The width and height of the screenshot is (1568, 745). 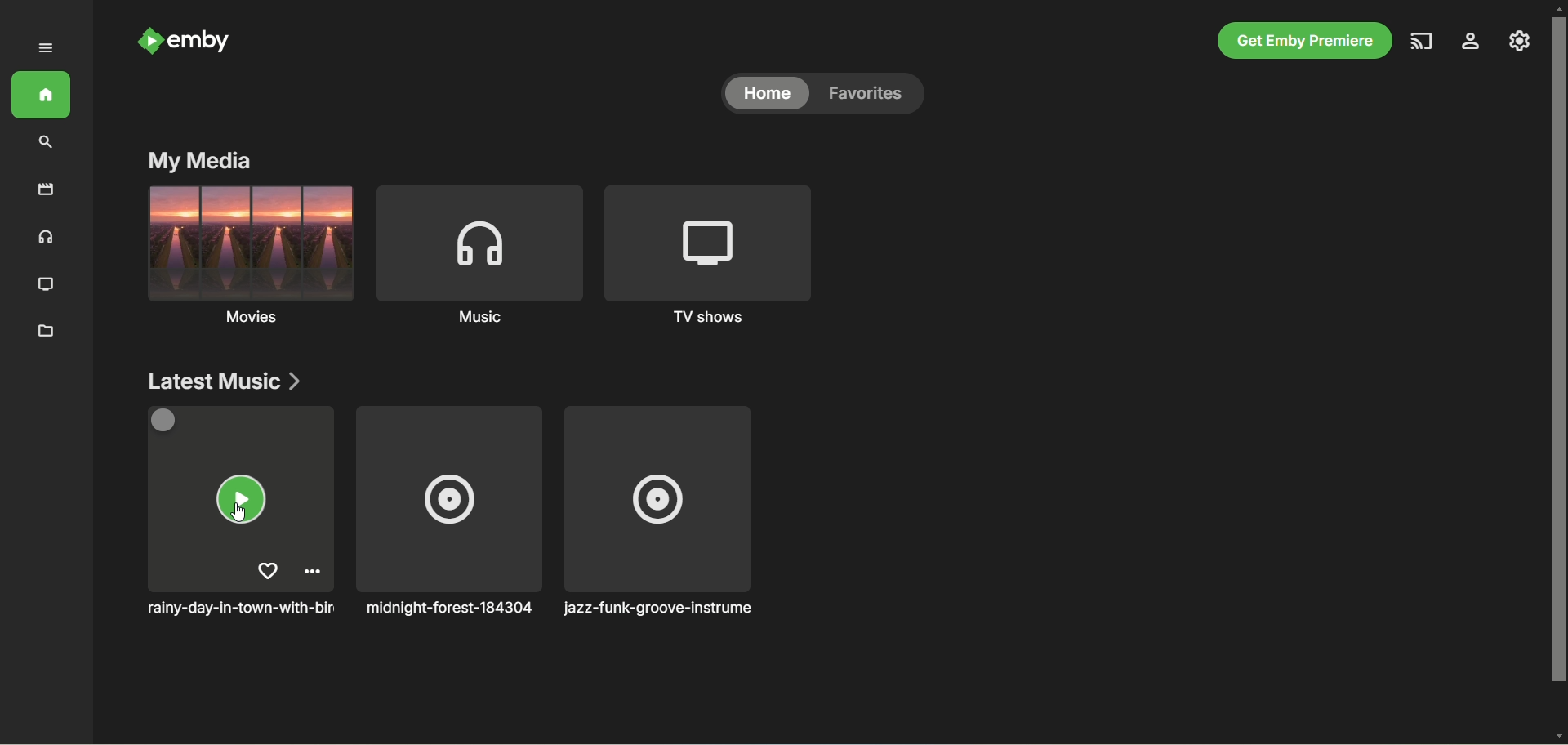 What do you see at coordinates (663, 511) in the screenshot?
I see `jazz-funk-groove-instrument` at bounding box center [663, 511].